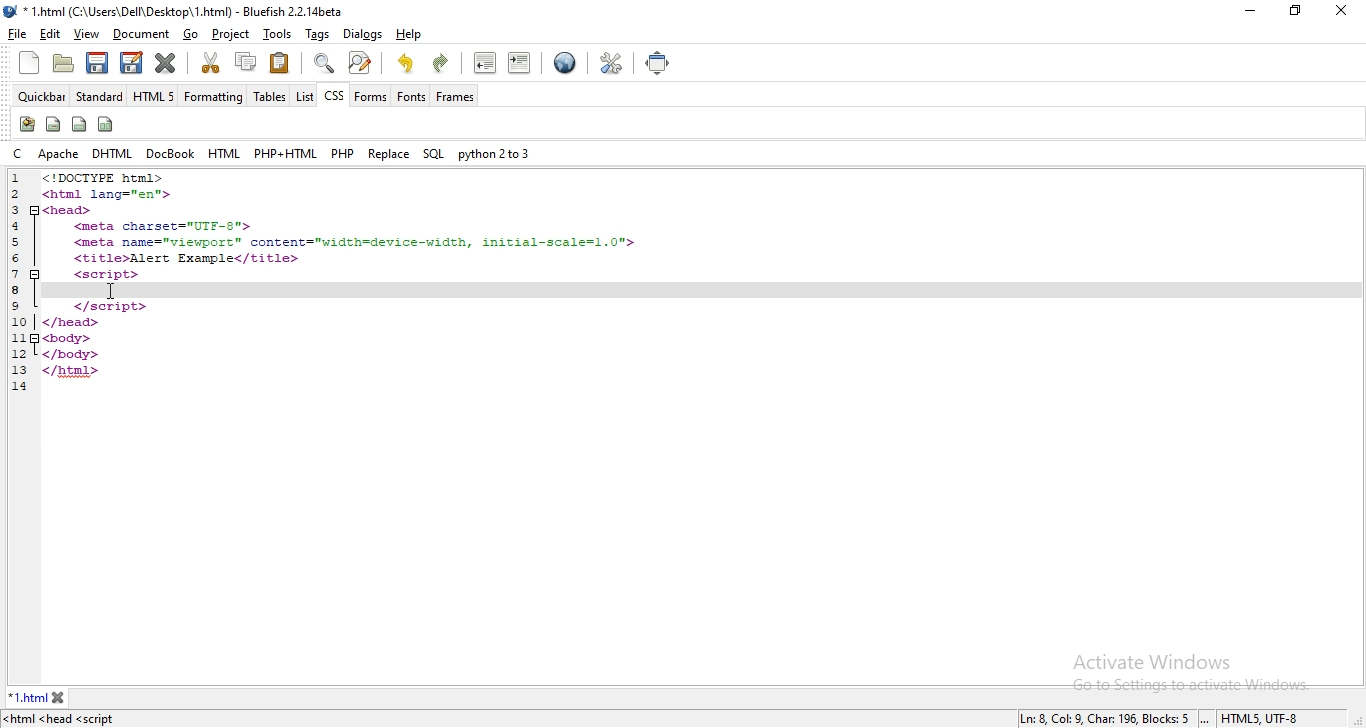 The height and width of the screenshot is (728, 1366). What do you see at coordinates (244, 64) in the screenshot?
I see `copy` at bounding box center [244, 64].